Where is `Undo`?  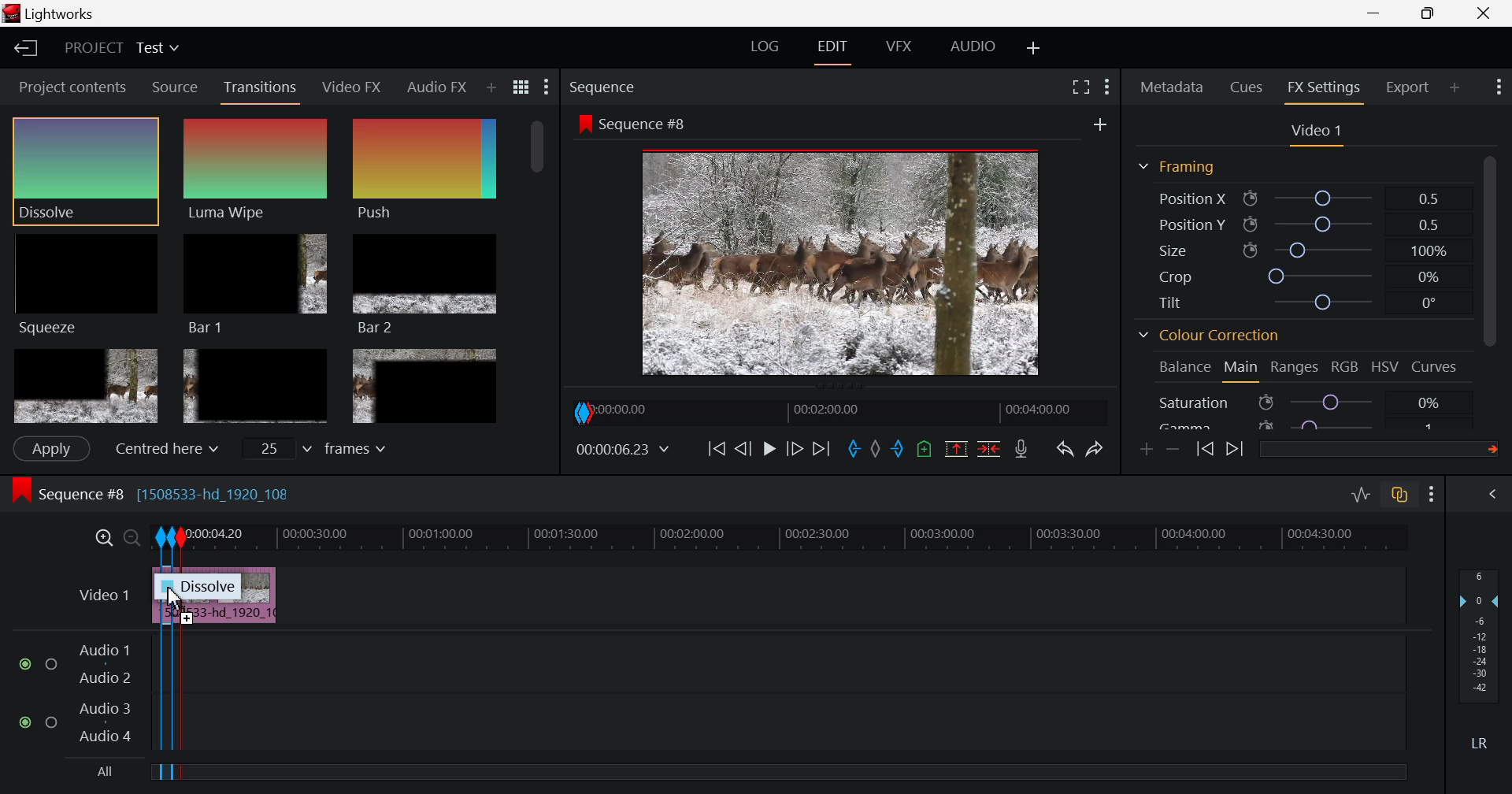
Undo is located at coordinates (1063, 447).